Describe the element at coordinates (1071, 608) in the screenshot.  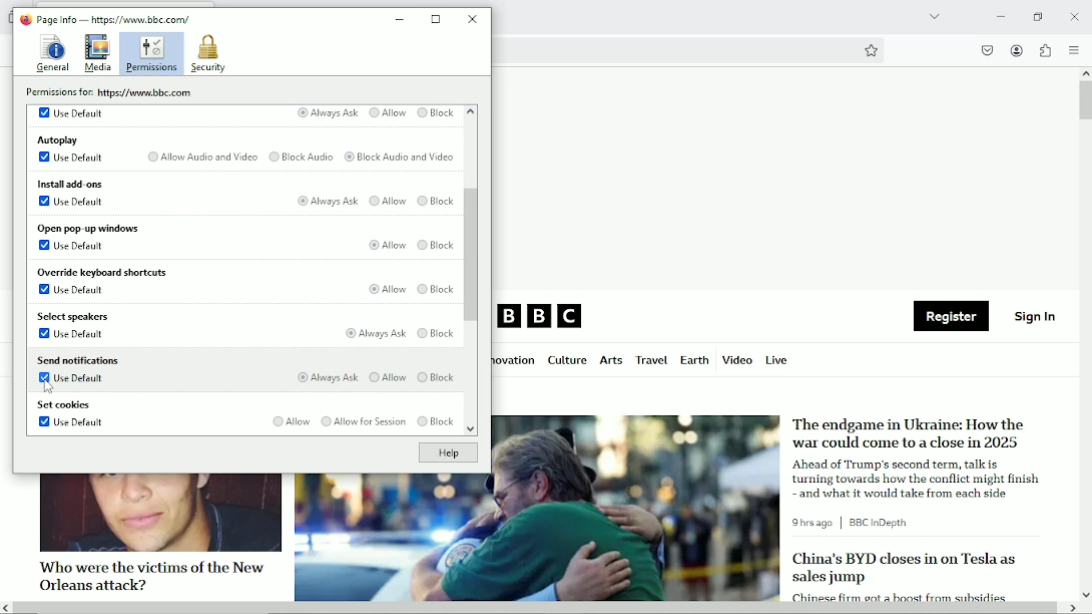
I see `scroll right` at that location.